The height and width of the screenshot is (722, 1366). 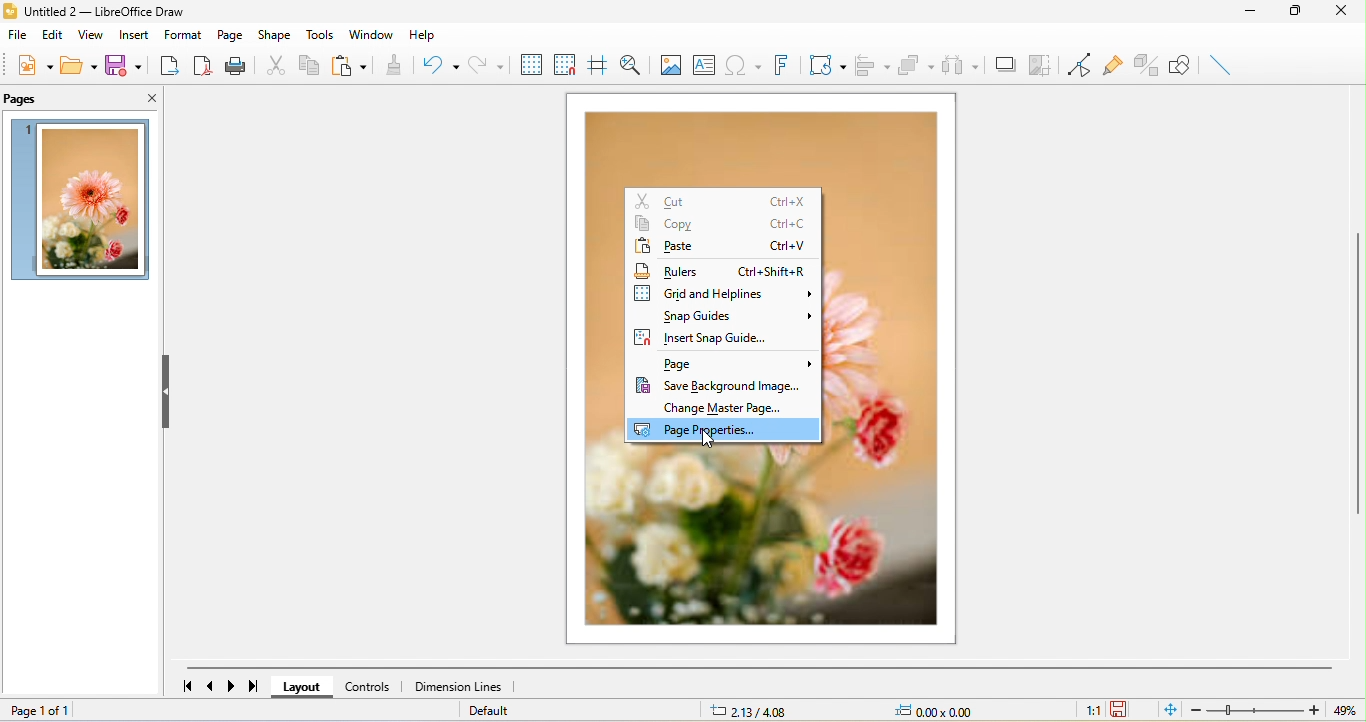 I want to click on tools, so click(x=321, y=32).